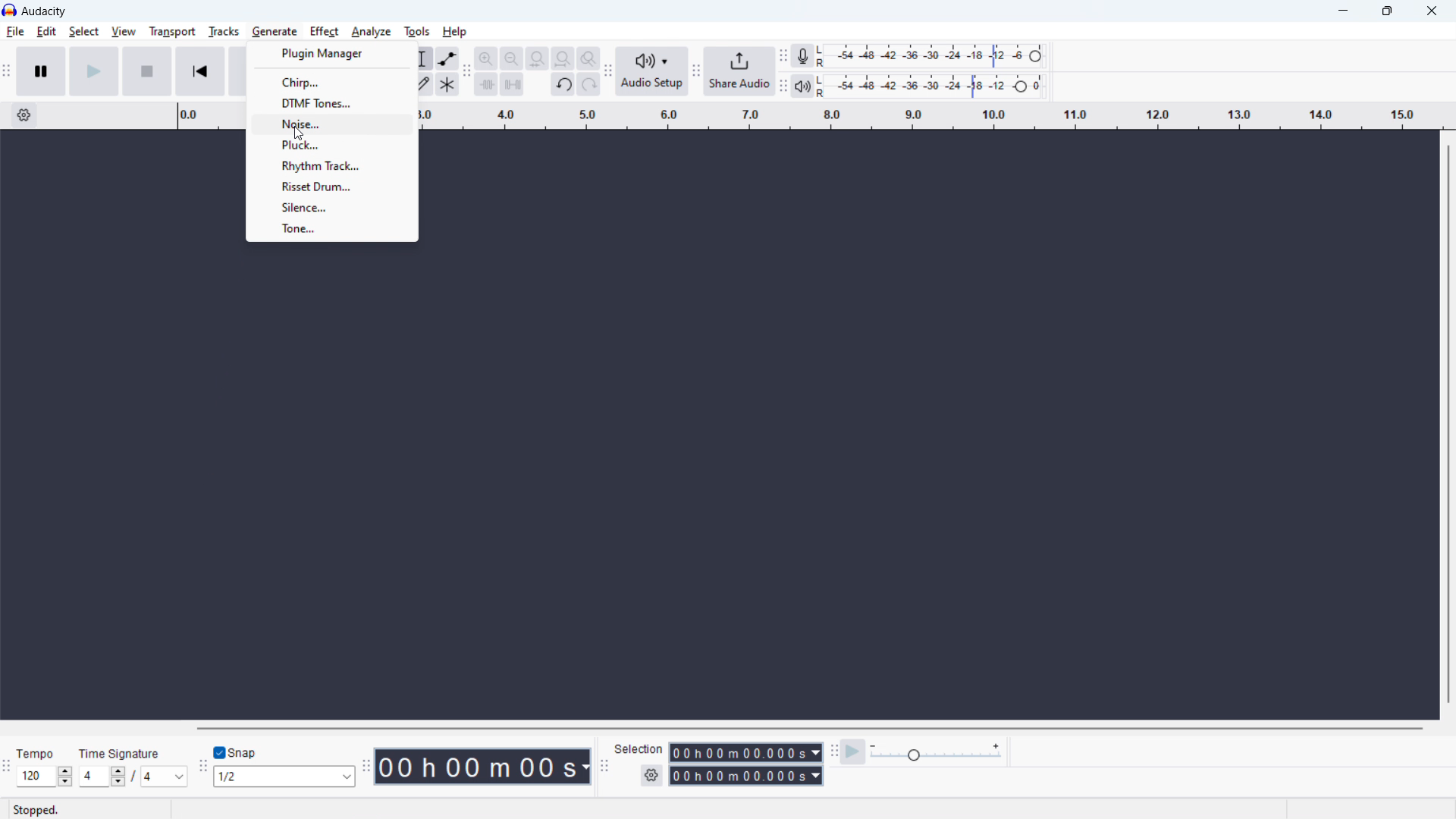 This screenshot has height=819, width=1456. Describe the element at coordinates (333, 124) in the screenshot. I see `noise` at that location.